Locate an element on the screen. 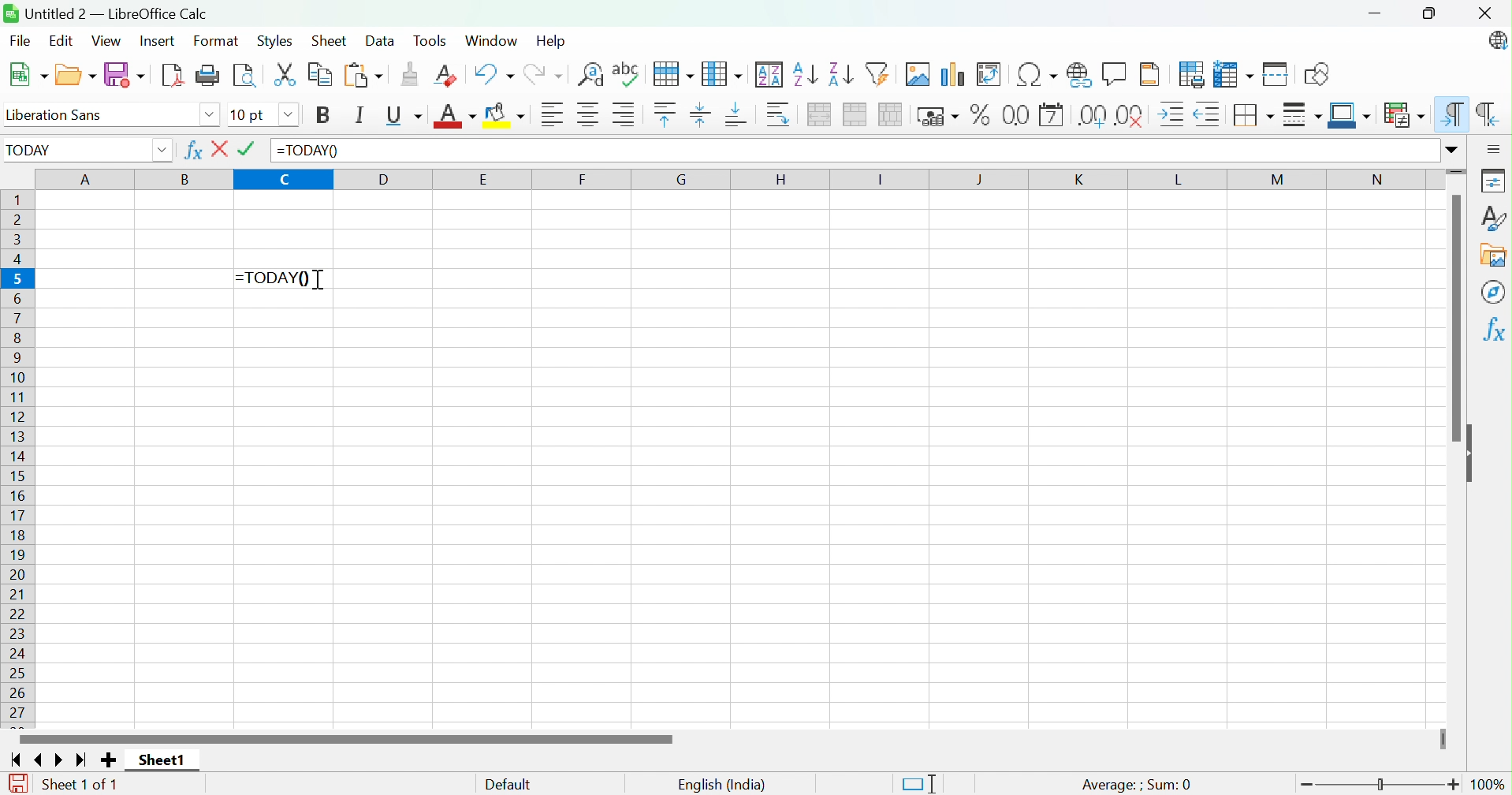 This screenshot has height=795, width=1512. Expand formula is located at coordinates (1454, 149).